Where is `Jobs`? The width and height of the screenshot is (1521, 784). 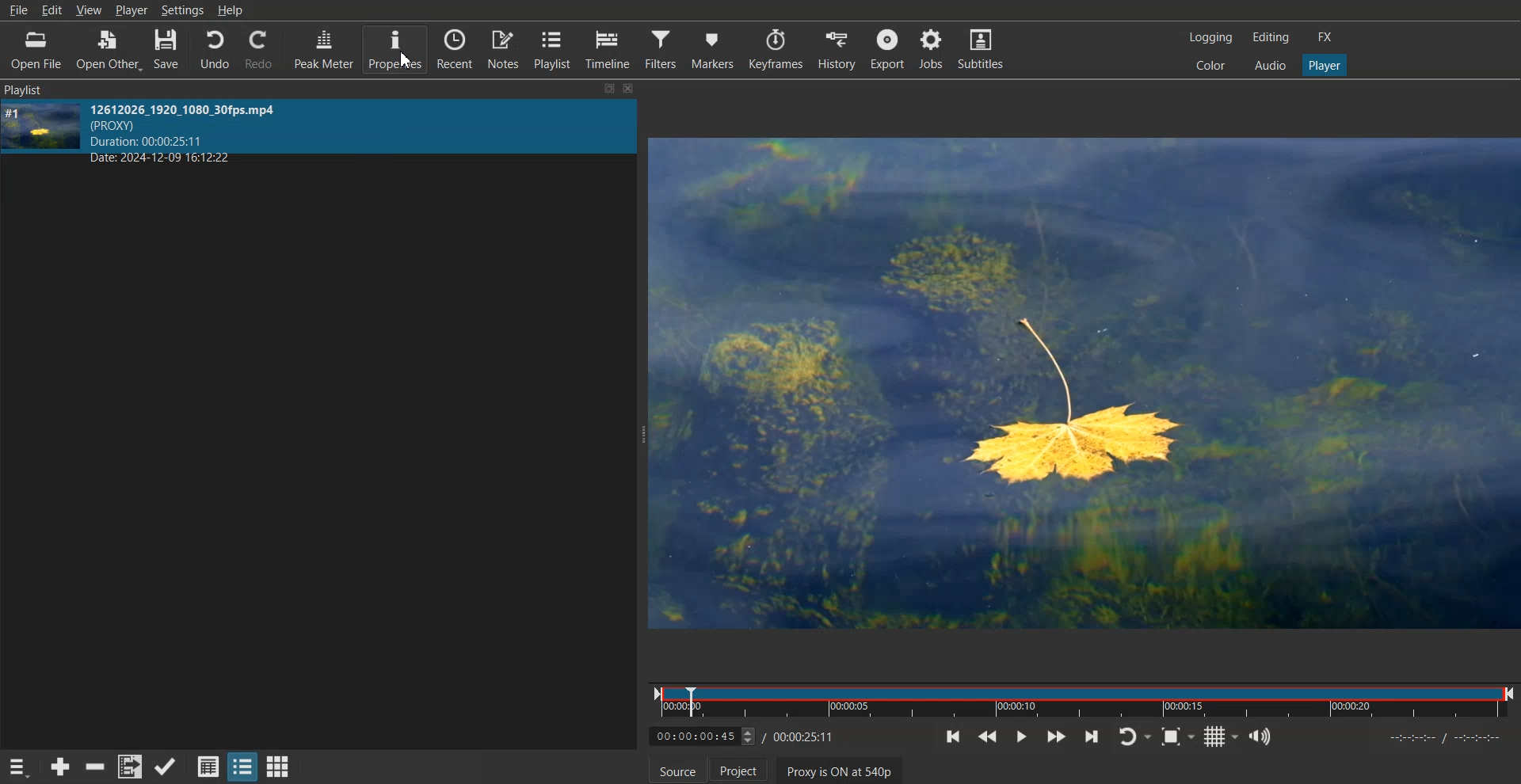
Jobs is located at coordinates (934, 48).